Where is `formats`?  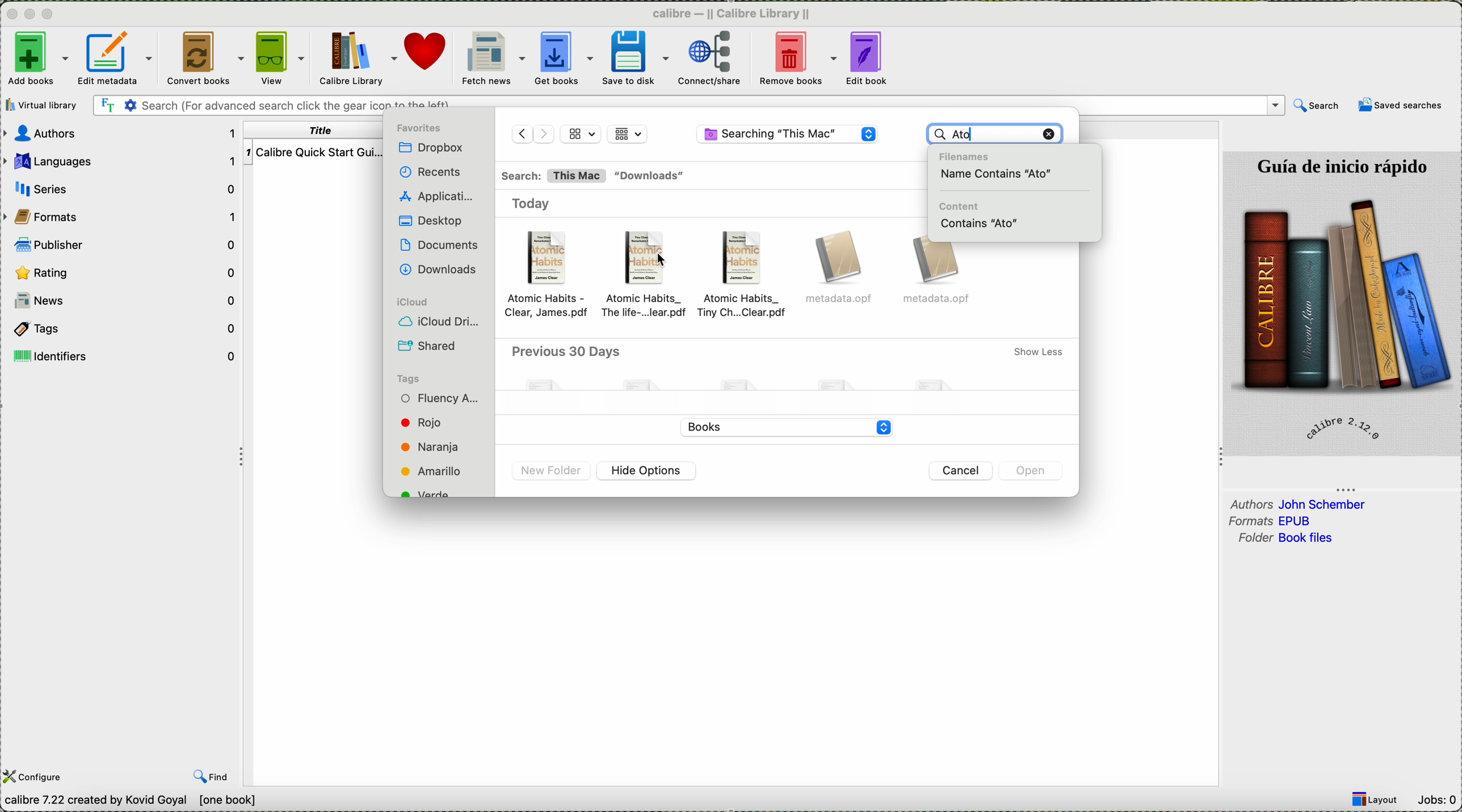 formats is located at coordinates (1274, 521).